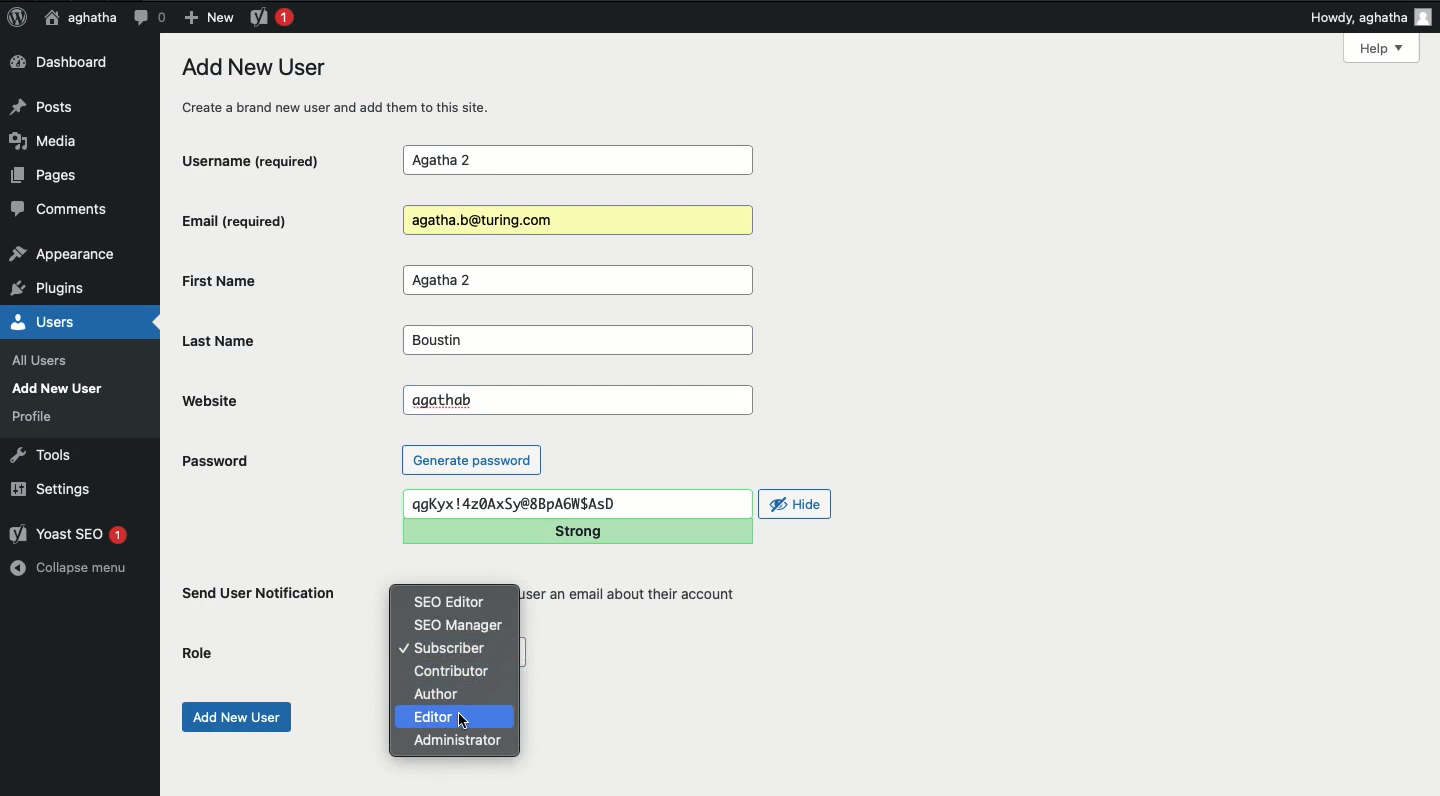 The image size is (1440, 796). What do you see at coordinates (1381, 48) in the screenshot?
I see `Help` at bounding box center [1381, 48].